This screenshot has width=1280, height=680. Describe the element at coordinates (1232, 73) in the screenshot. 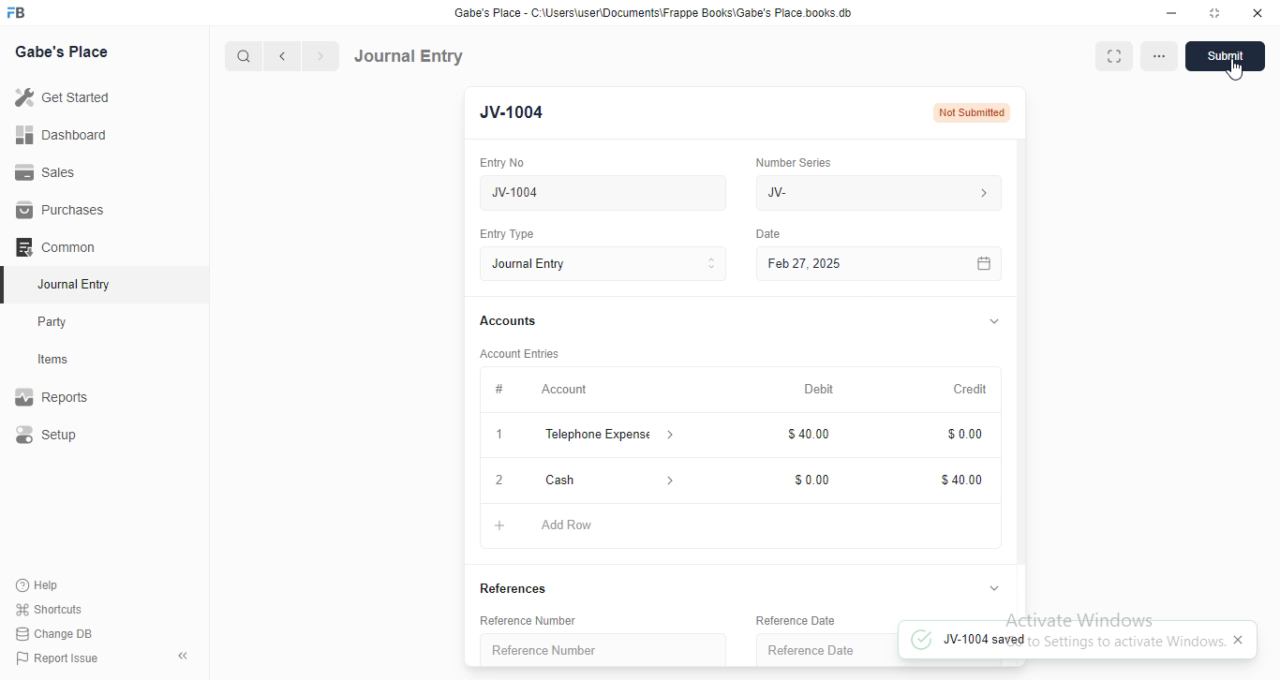

I see `cursor` at that location.